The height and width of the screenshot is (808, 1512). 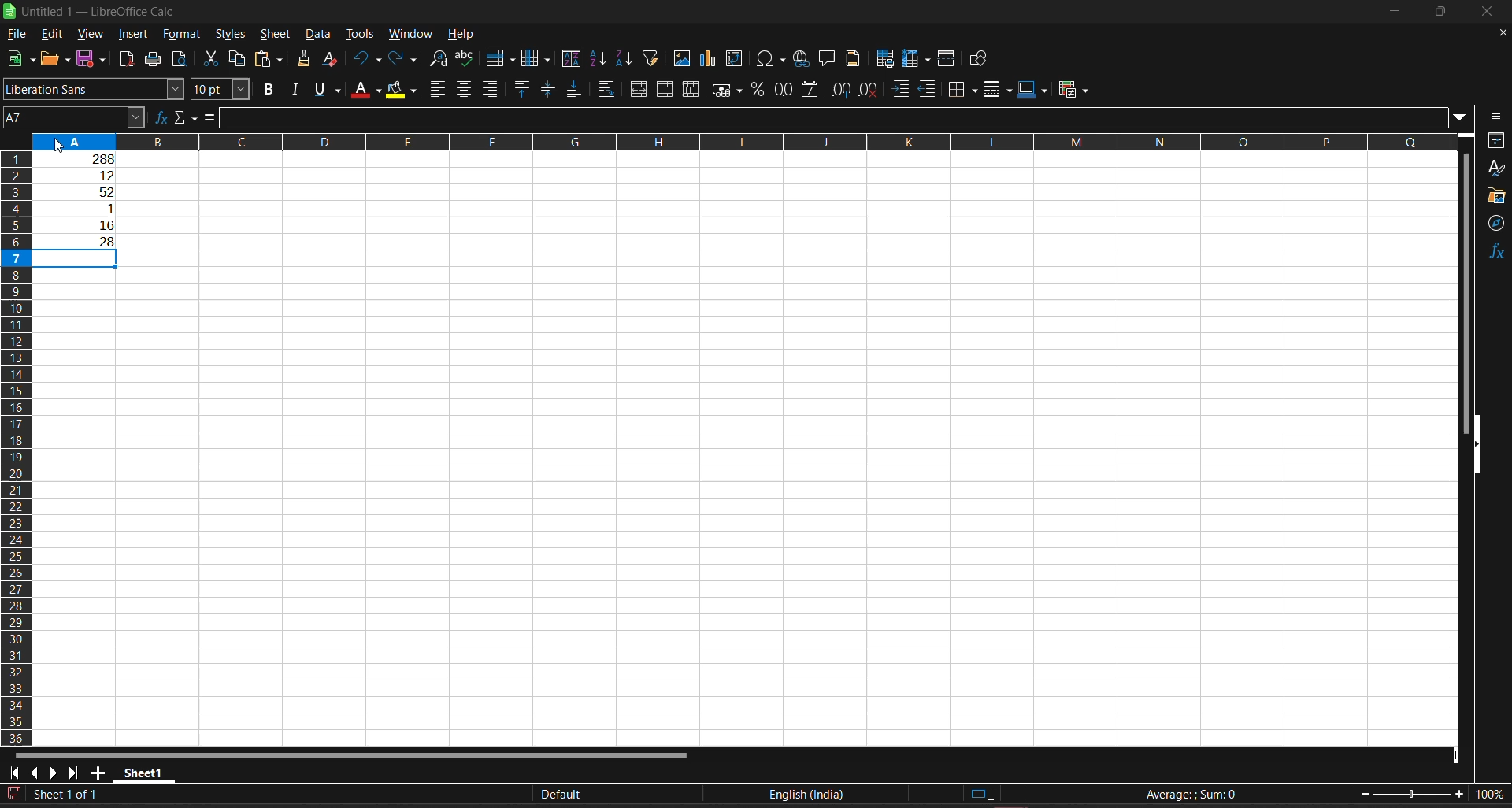 I want to click on bold, so click(x=267, y=90).